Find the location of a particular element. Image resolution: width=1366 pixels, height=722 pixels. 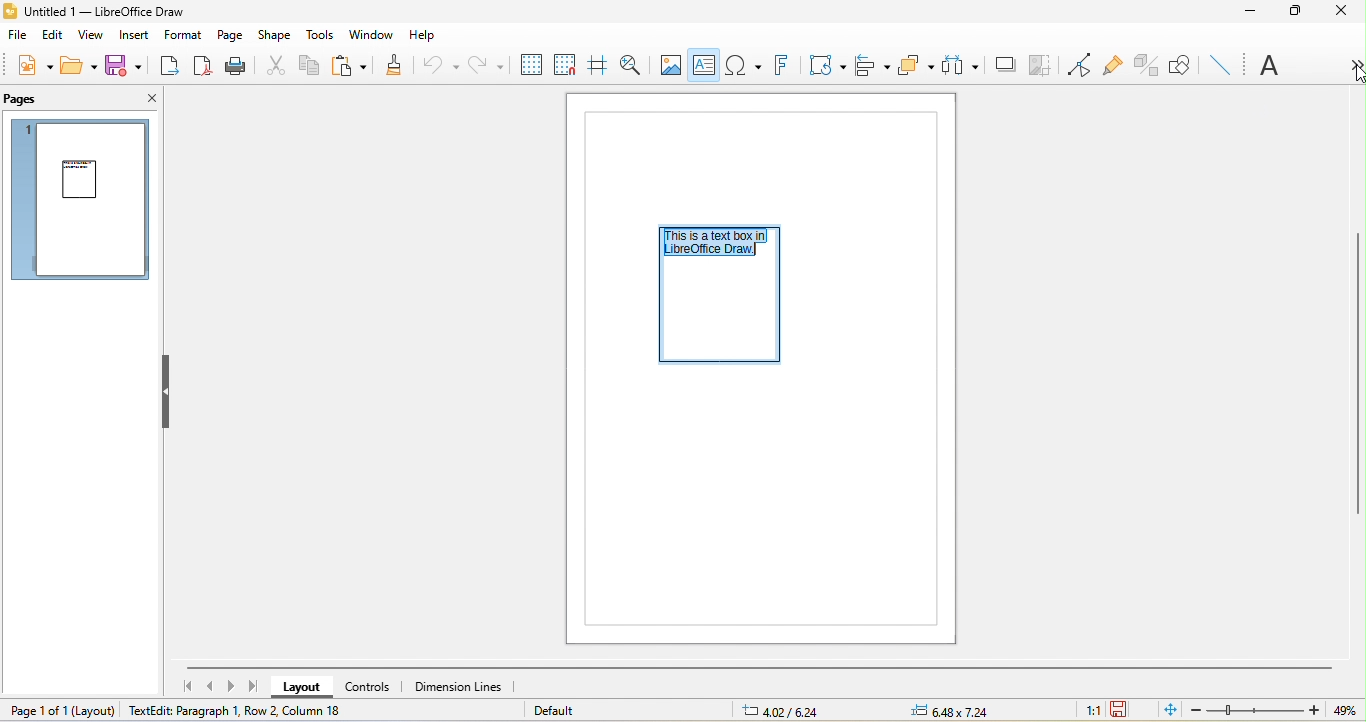

vertical scroll bar is located at coordinates (1357, 370).